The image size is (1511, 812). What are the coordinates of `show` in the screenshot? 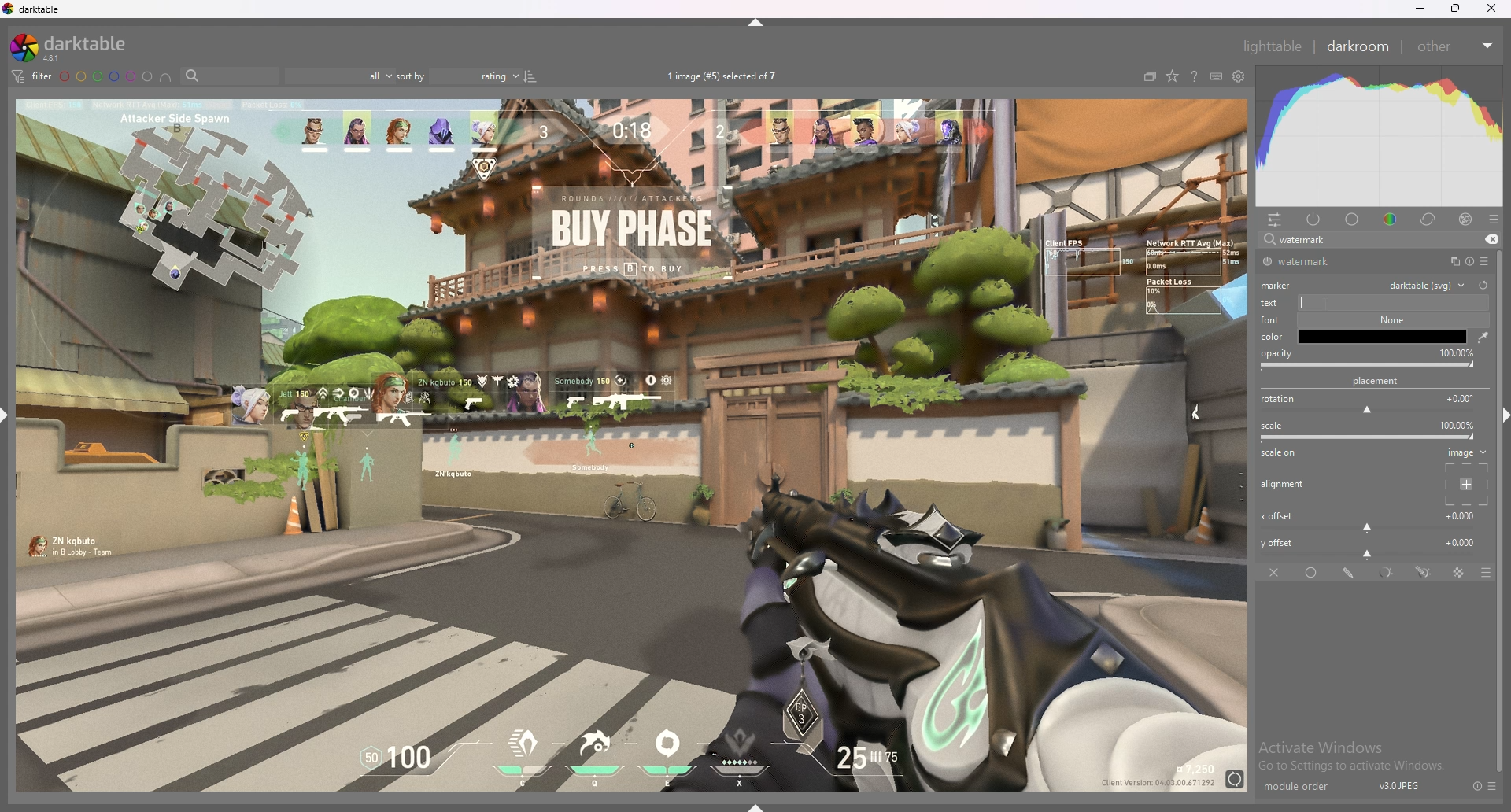 It's located at (762, 803).